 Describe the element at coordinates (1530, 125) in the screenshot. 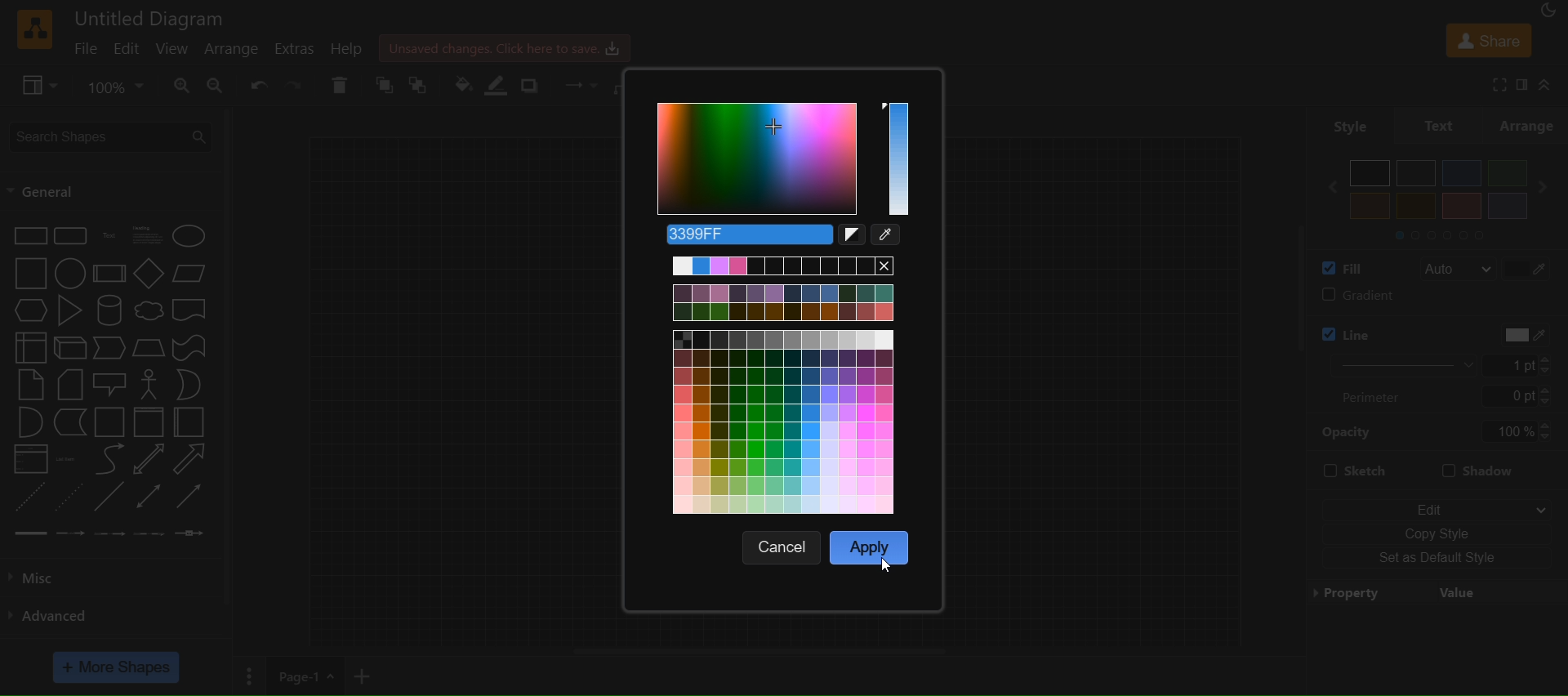

I see `arrange` at that location.